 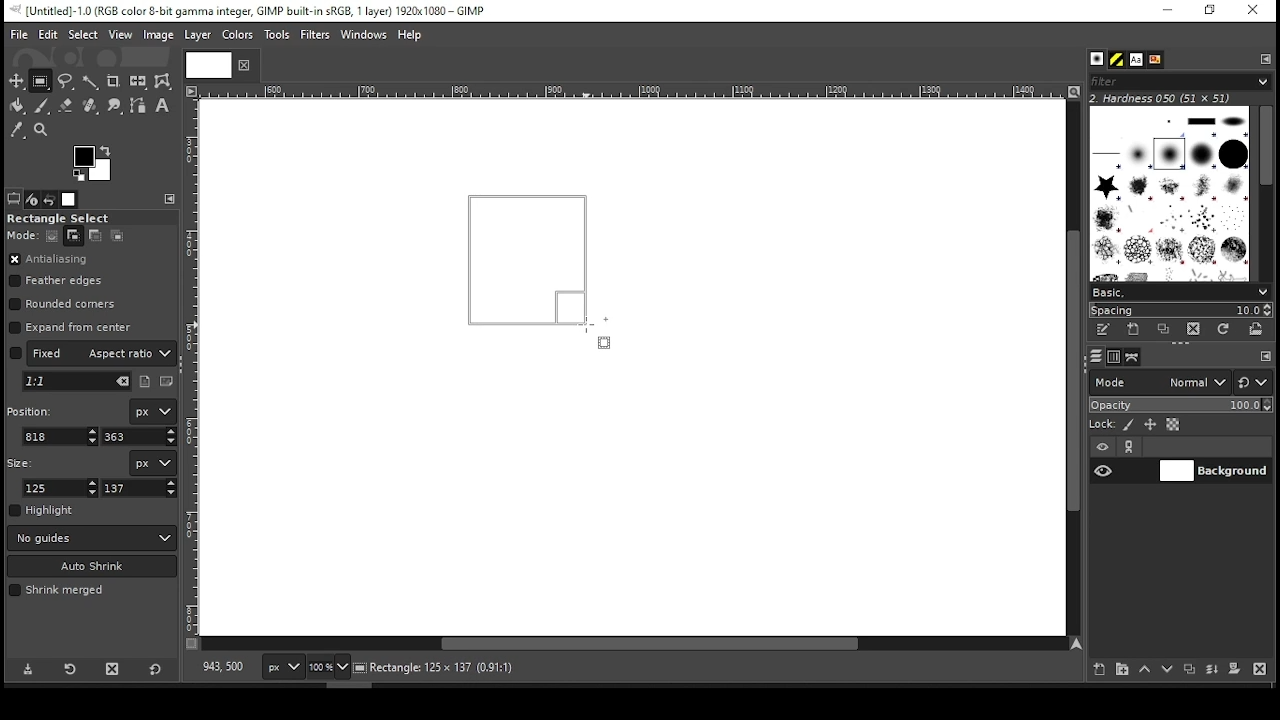 I want to click on select brush preset, so click(x=1182, y=291).